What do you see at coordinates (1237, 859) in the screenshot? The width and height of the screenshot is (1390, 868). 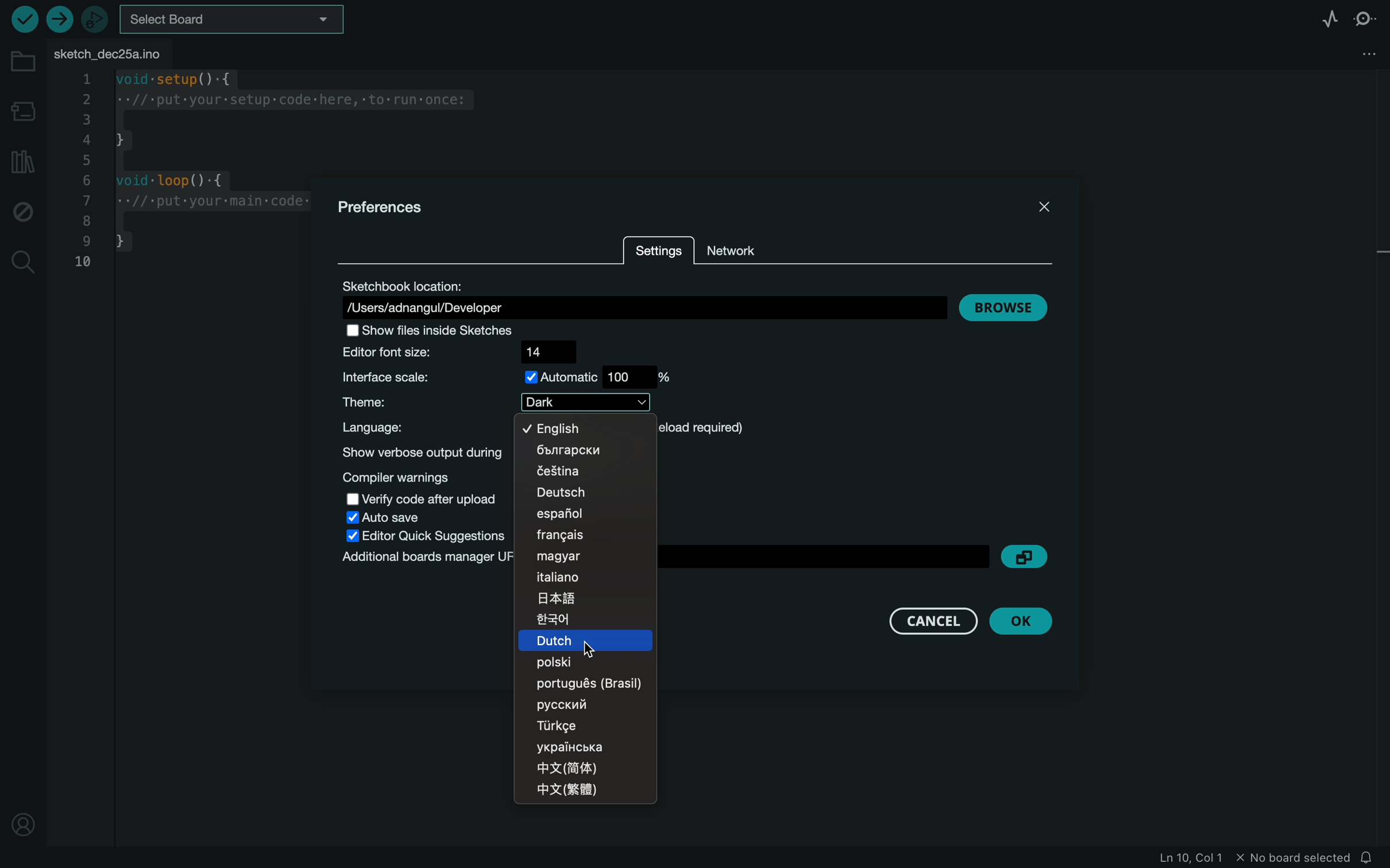 I see `file  infomation` at bounding box center [1237, 859].